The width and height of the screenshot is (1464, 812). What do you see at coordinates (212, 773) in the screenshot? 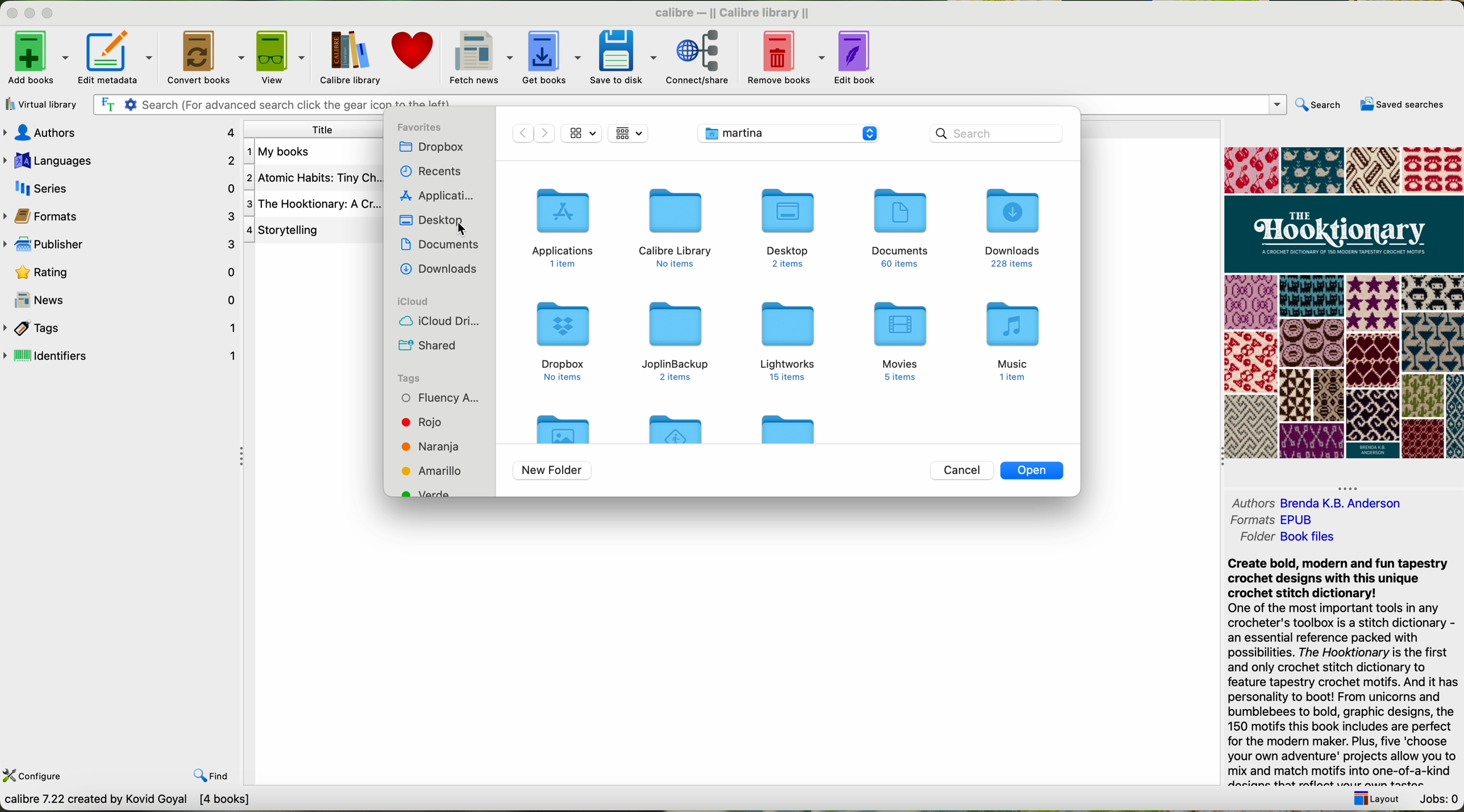
I see `find` at bounding box center [212, 773].